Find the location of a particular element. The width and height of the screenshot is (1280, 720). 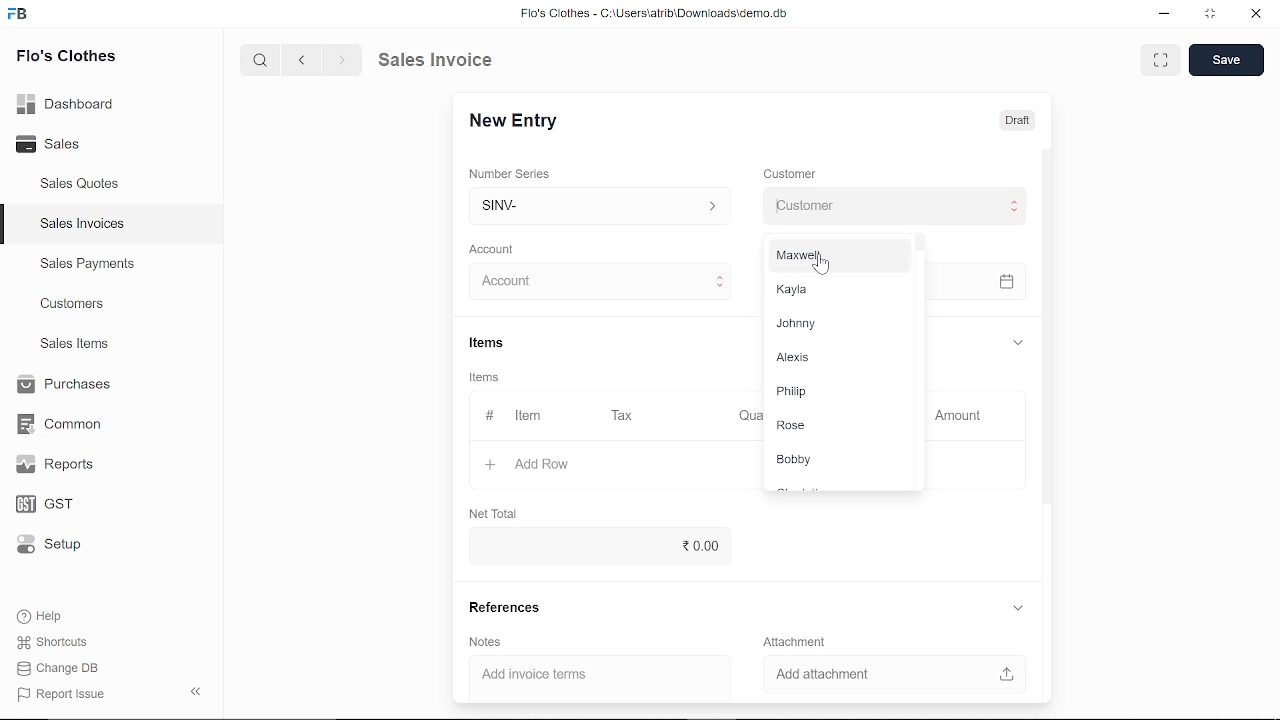

# Item is located at coordinates (513, 417).